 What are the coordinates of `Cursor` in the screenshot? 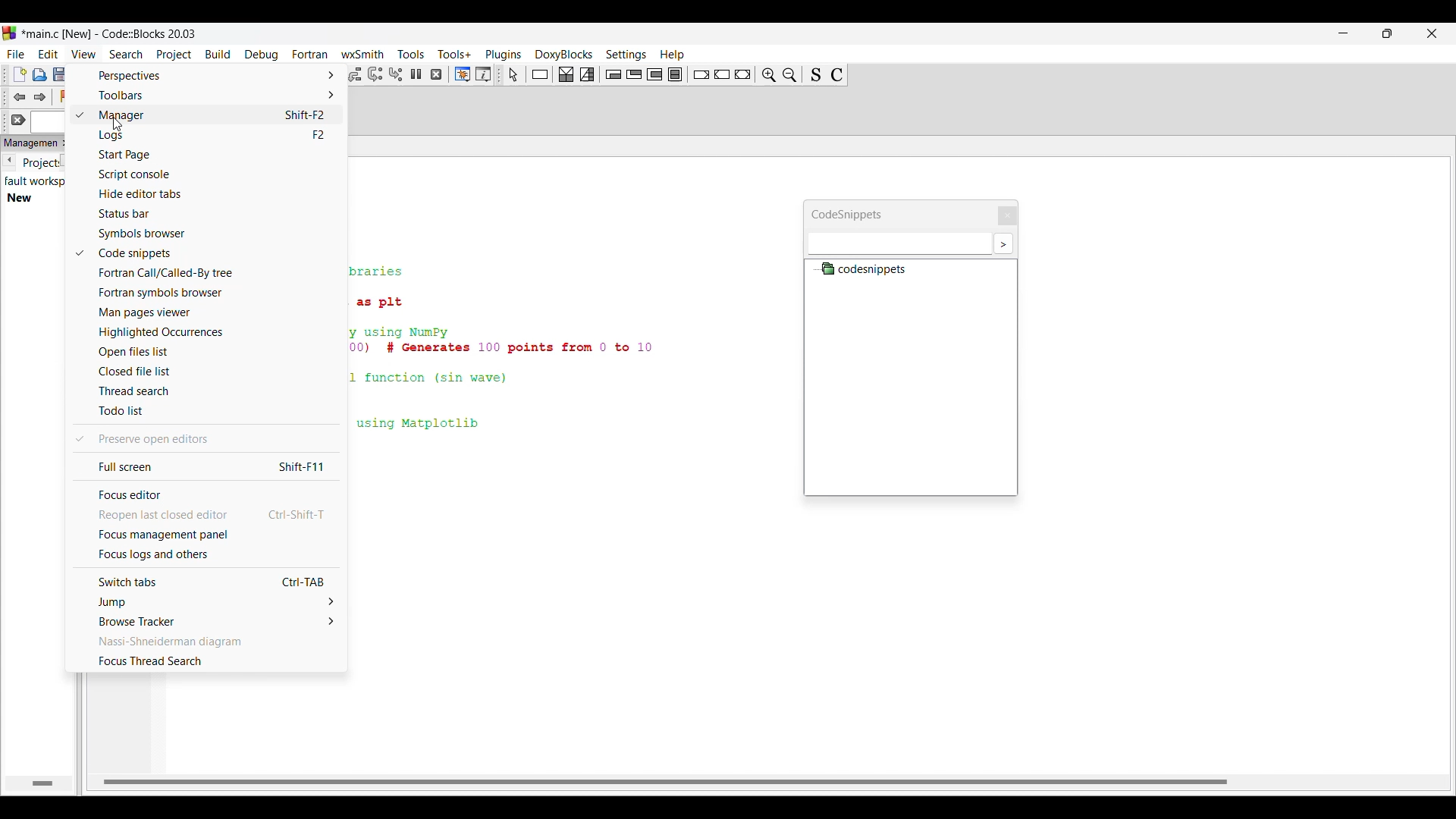 It's located at (118, 124).